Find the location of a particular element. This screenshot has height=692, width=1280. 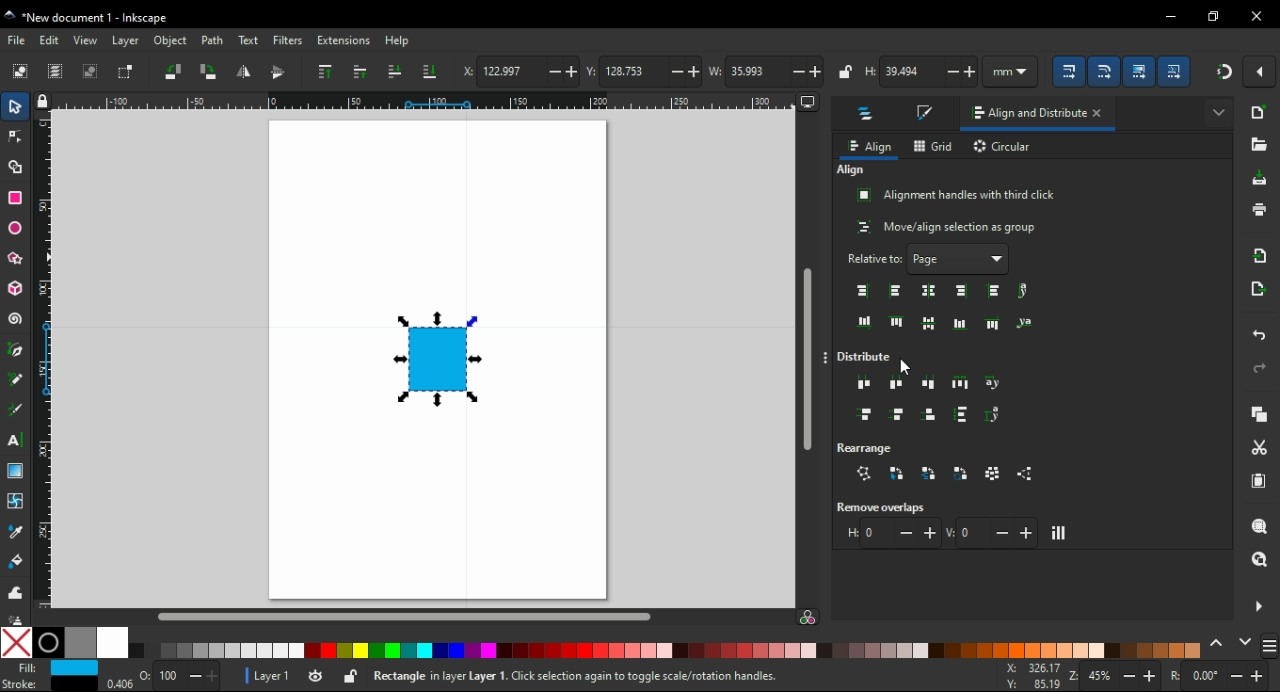

restore is located at coordinates (1214, 16).